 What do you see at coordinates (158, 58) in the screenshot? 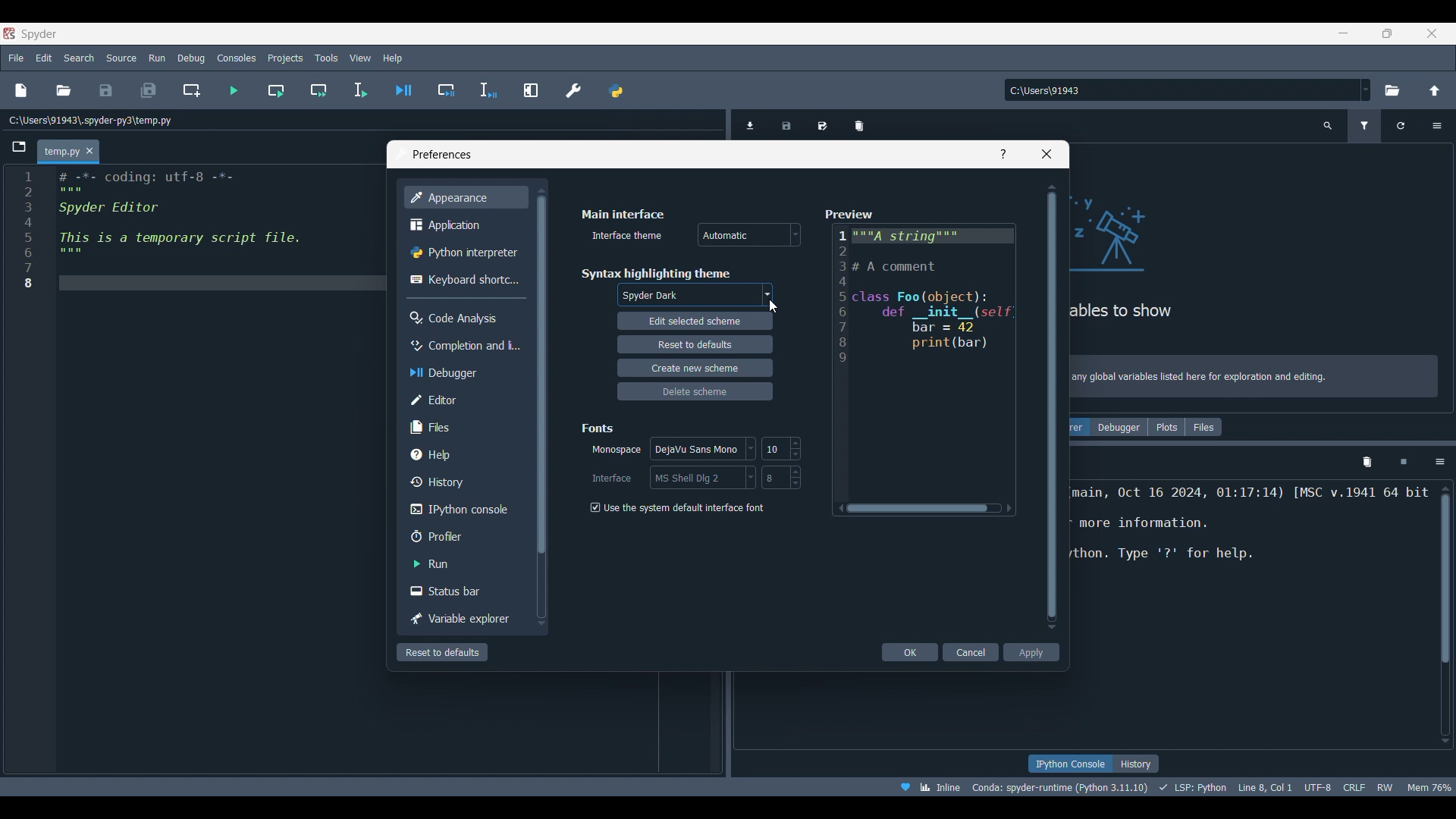
I see `Run menu` at bounding box center [158, 58].